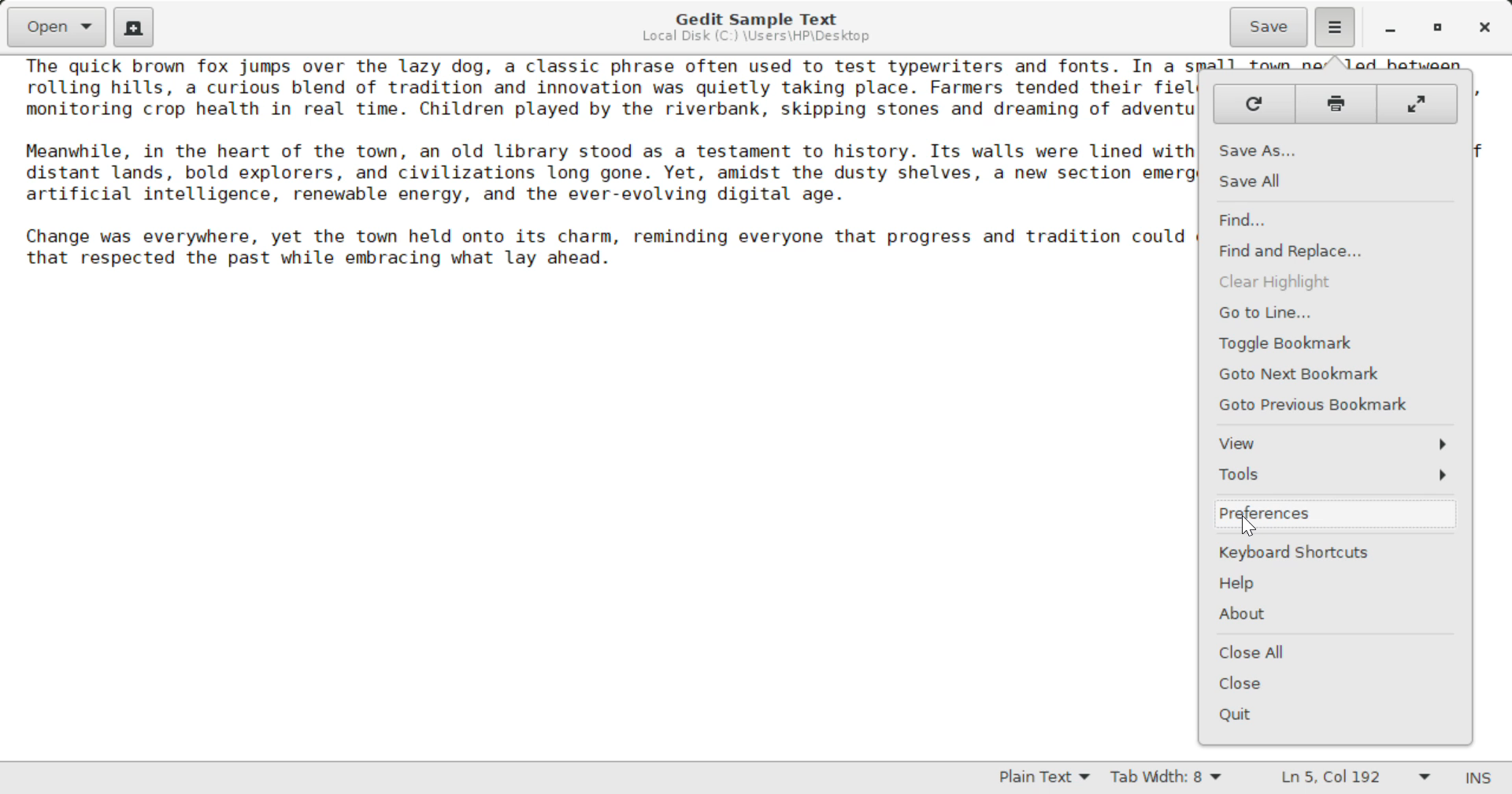 The image size is (1512, 794). Describe the element at coordinates (1163, 779) in the screenshot. I see `Tab Width 8` at that location.